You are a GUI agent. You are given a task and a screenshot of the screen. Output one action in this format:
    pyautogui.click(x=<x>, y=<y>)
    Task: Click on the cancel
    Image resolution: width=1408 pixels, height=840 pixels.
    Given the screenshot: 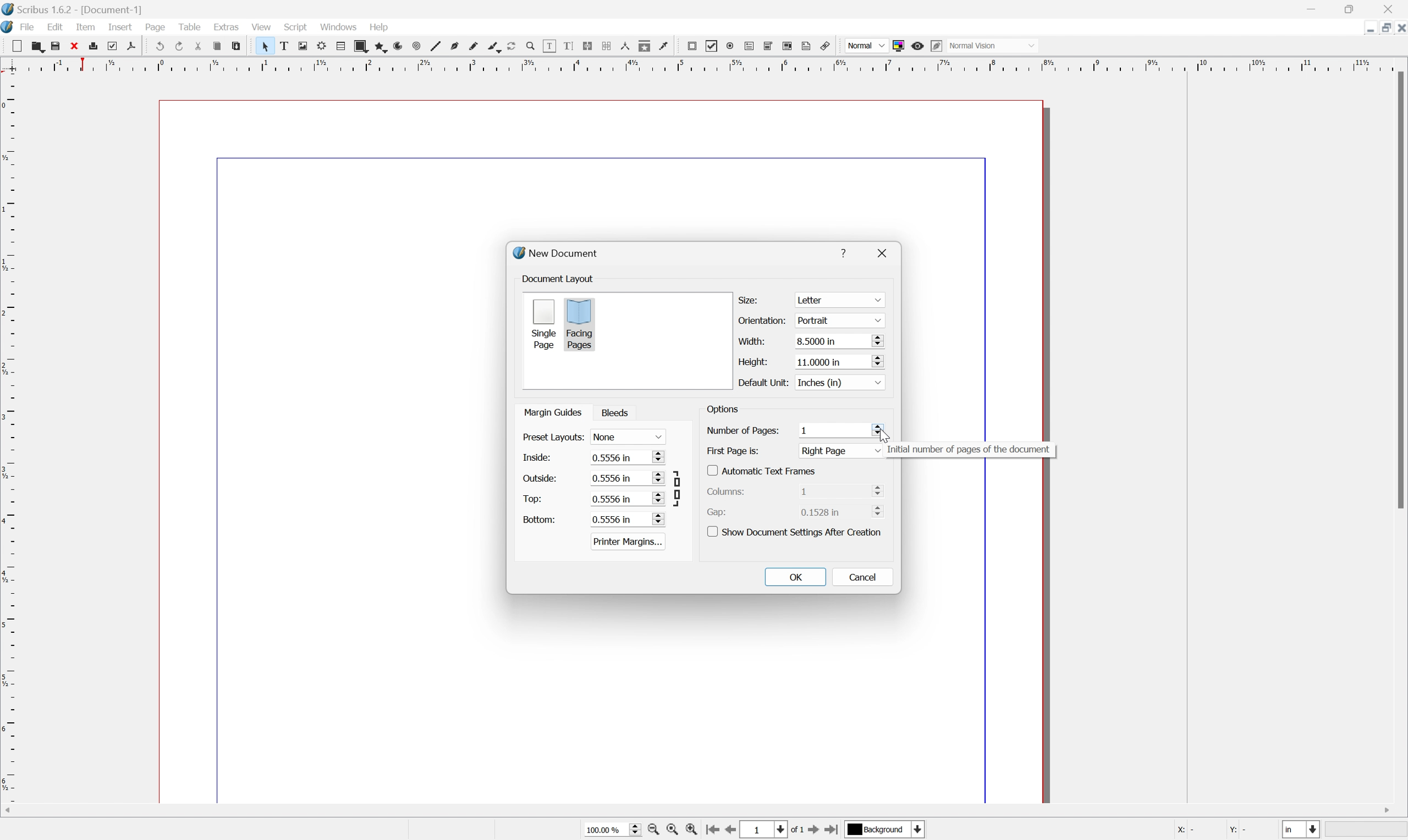 What is the action you would take?
    pyautogui.click(x=863, y=576)
    